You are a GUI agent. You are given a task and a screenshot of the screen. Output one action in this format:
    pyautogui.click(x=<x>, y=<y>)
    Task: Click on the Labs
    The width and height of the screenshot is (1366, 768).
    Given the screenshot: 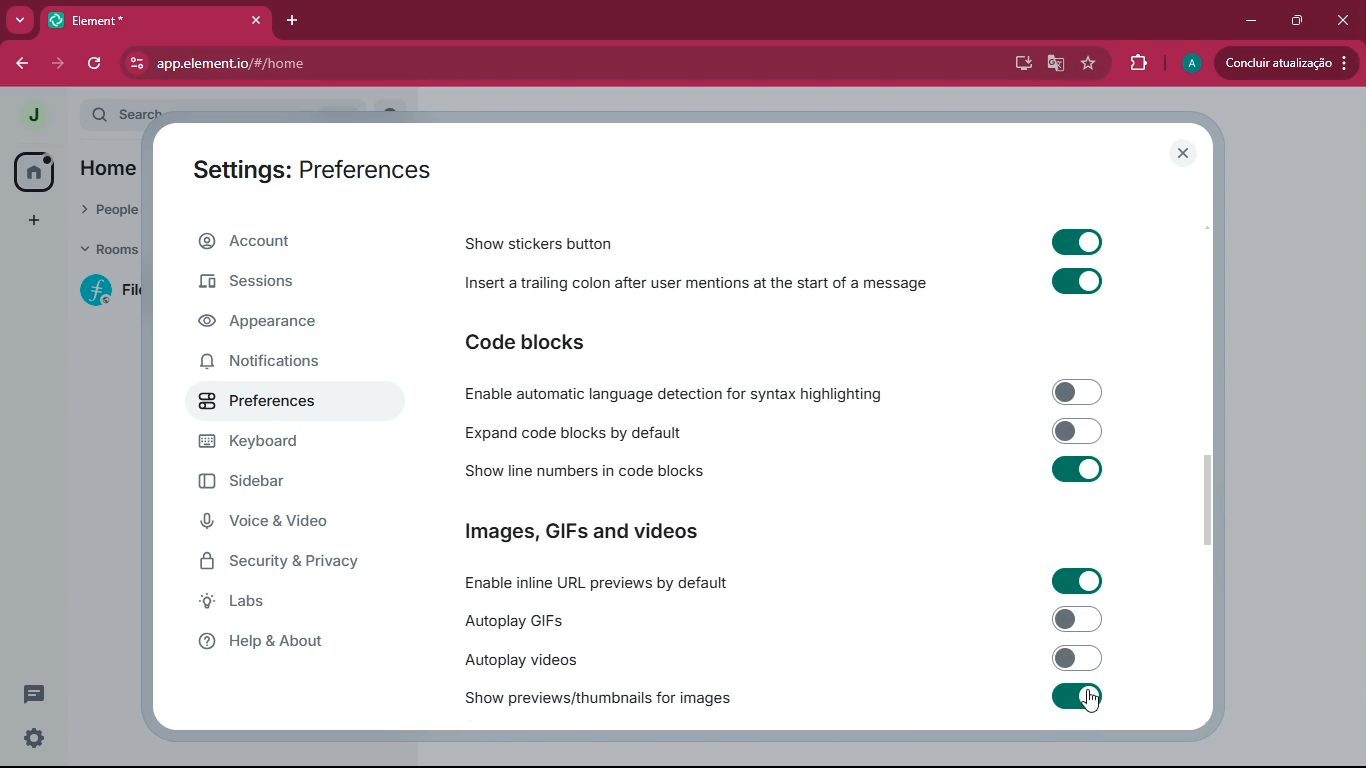 What is the action you would take?
    pyautogui.click(x=282, y=601)
    